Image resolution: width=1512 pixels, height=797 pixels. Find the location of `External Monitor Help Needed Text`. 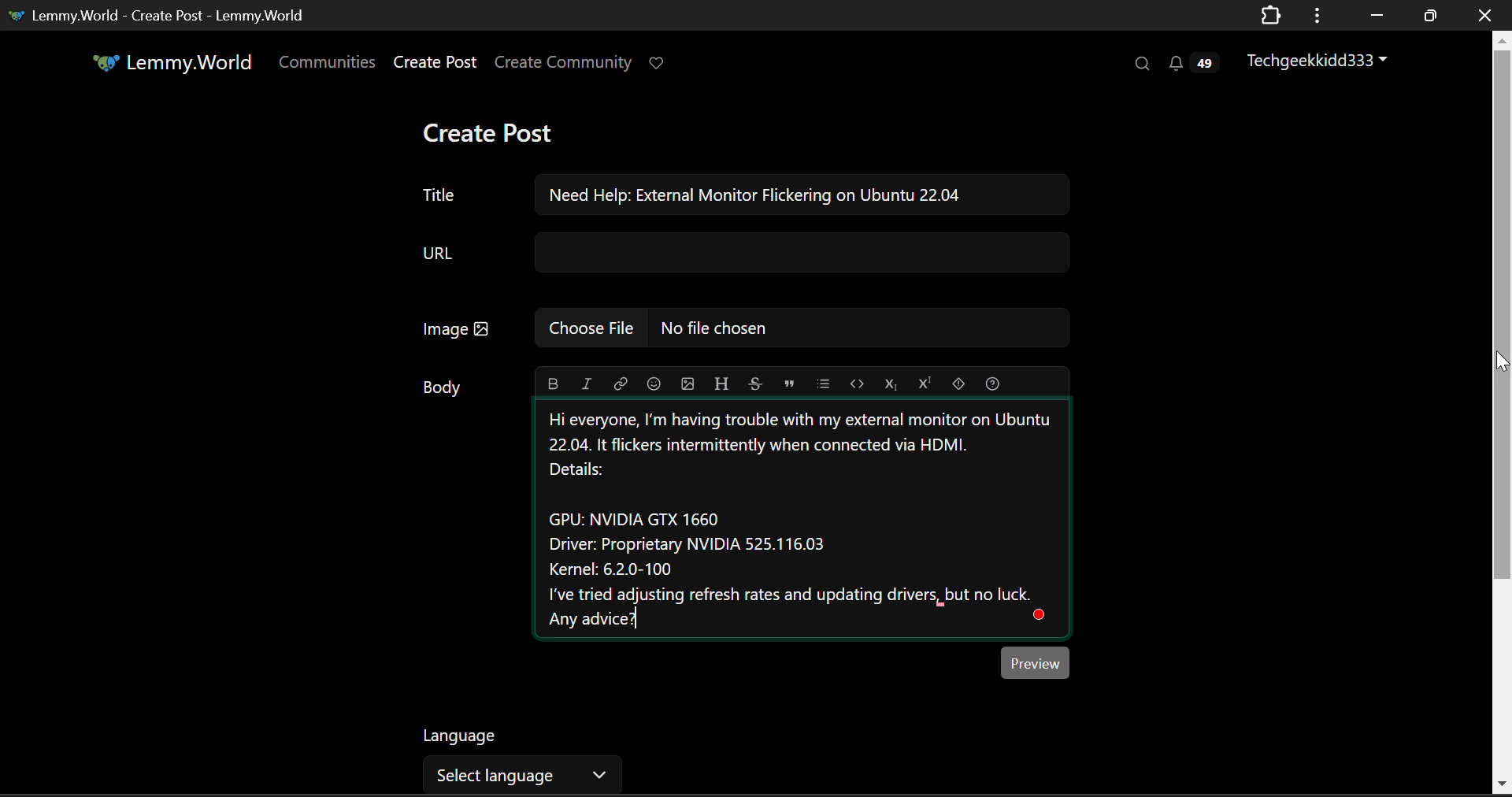

External Monitor Help Needed Text is located at coordinates (802, 520).